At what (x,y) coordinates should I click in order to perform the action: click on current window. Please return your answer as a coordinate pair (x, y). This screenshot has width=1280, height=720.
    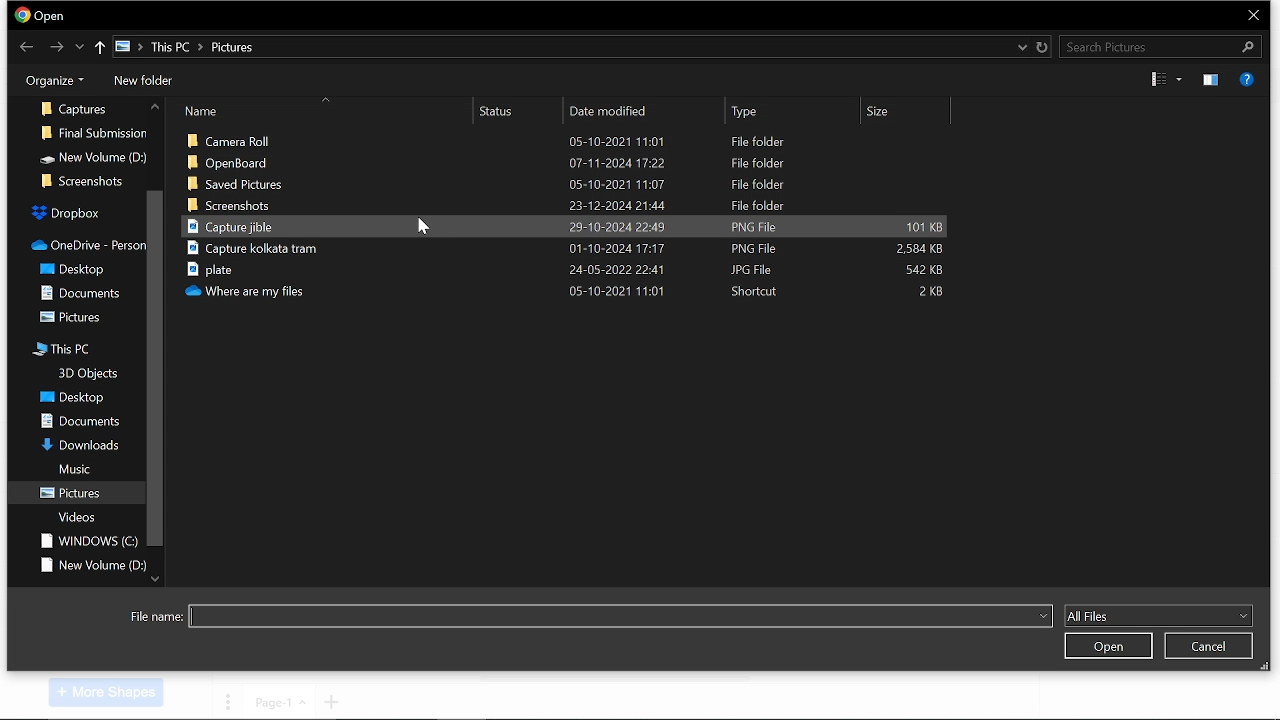
    Looking at the image, I should click on (42, 16).